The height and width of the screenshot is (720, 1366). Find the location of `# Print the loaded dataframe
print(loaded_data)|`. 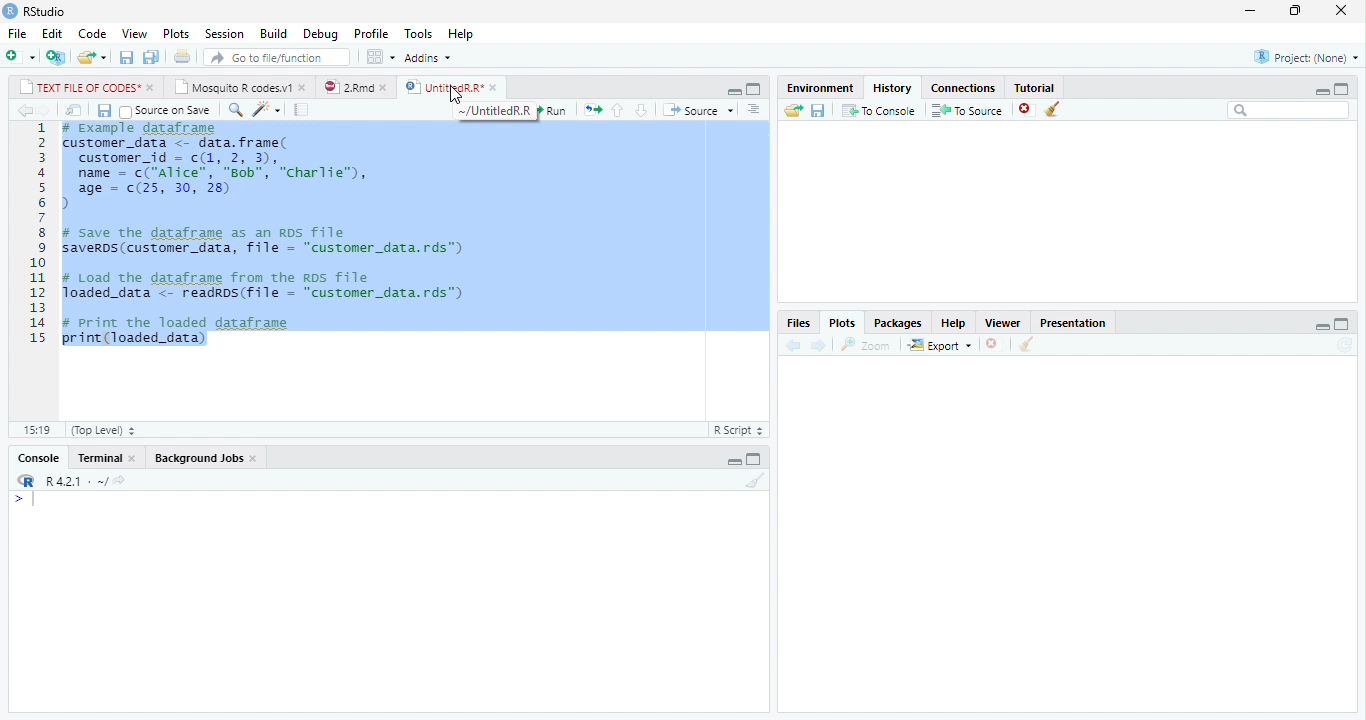

# Print the loaded dataframe
print(loaded_data)| is located at coordinates (189, 334).